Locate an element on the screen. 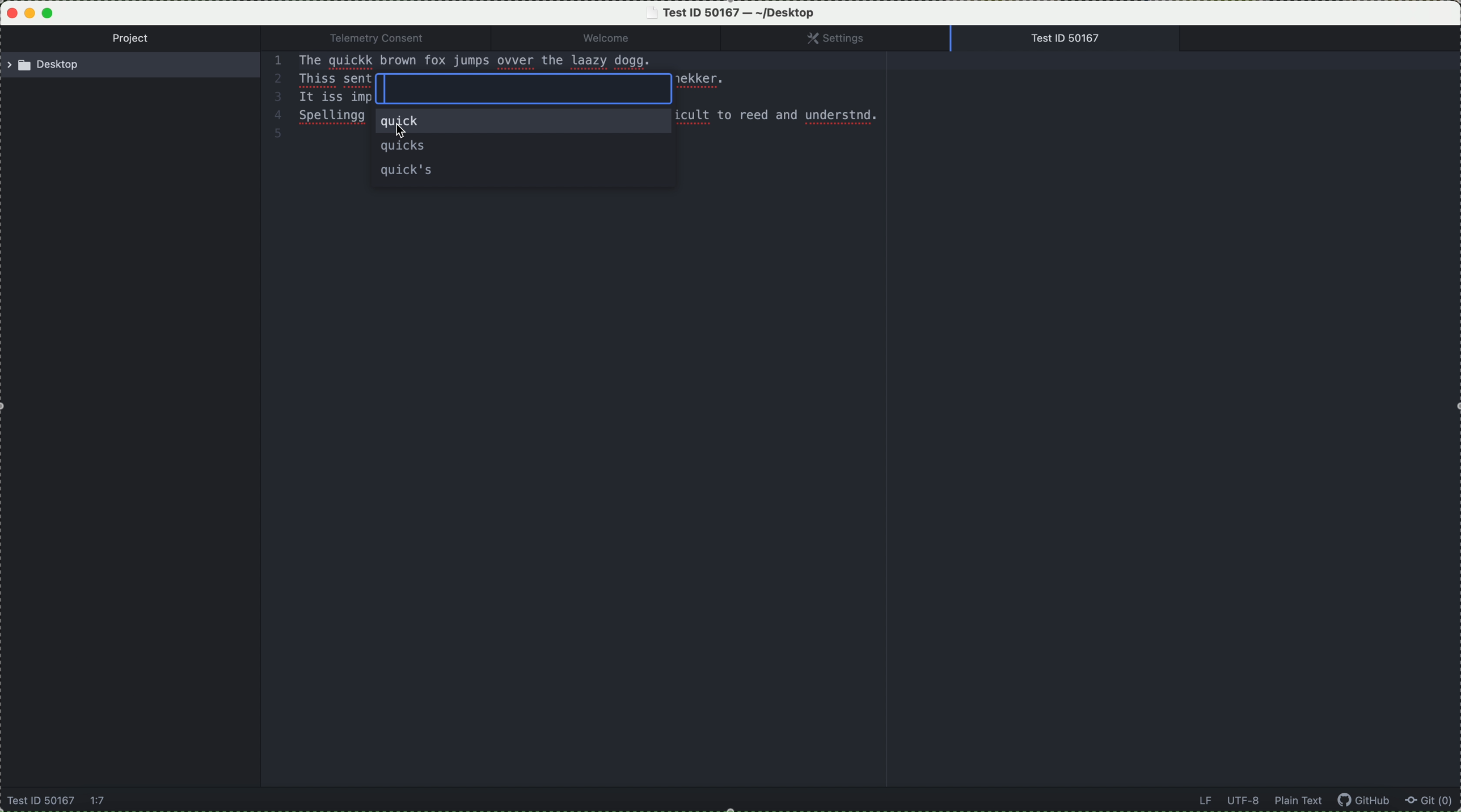  1. The is located at coordinates (293, 61).